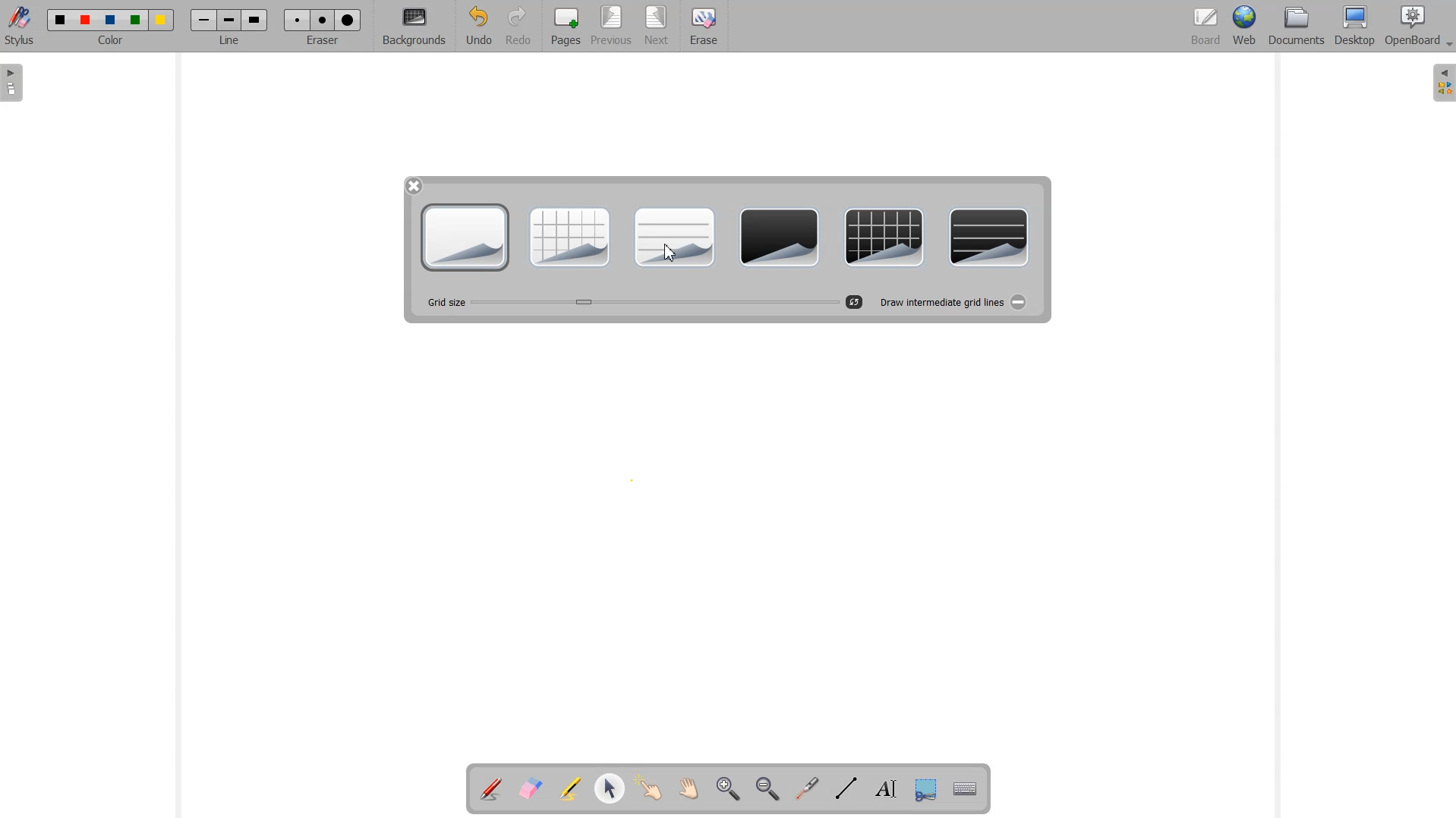  What do you see at coordinates (657, 27) in the screenshot?
I see `Next` at bounding box center [657, 27].